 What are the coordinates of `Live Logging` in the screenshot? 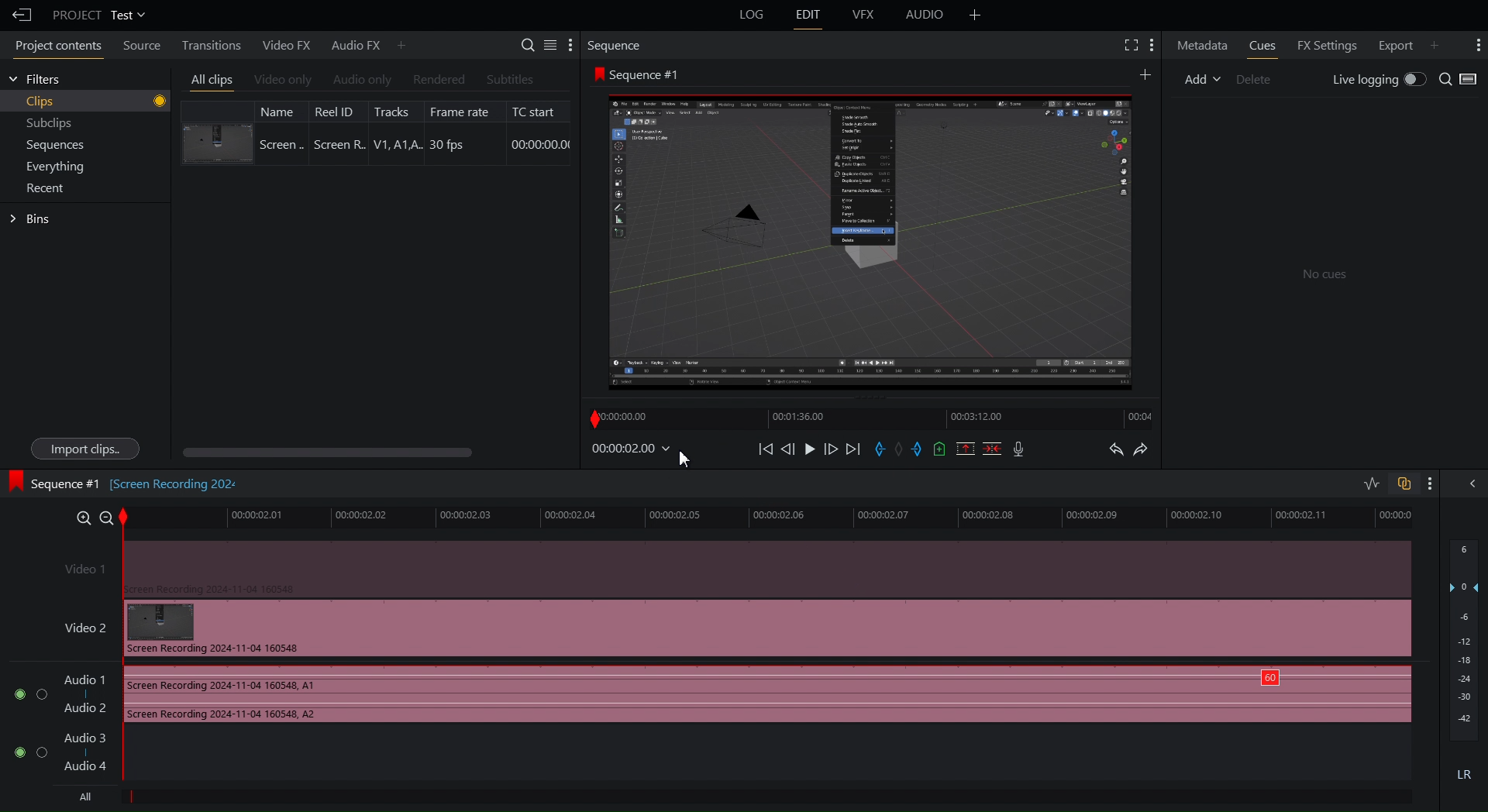 It's located at (1376, 81).